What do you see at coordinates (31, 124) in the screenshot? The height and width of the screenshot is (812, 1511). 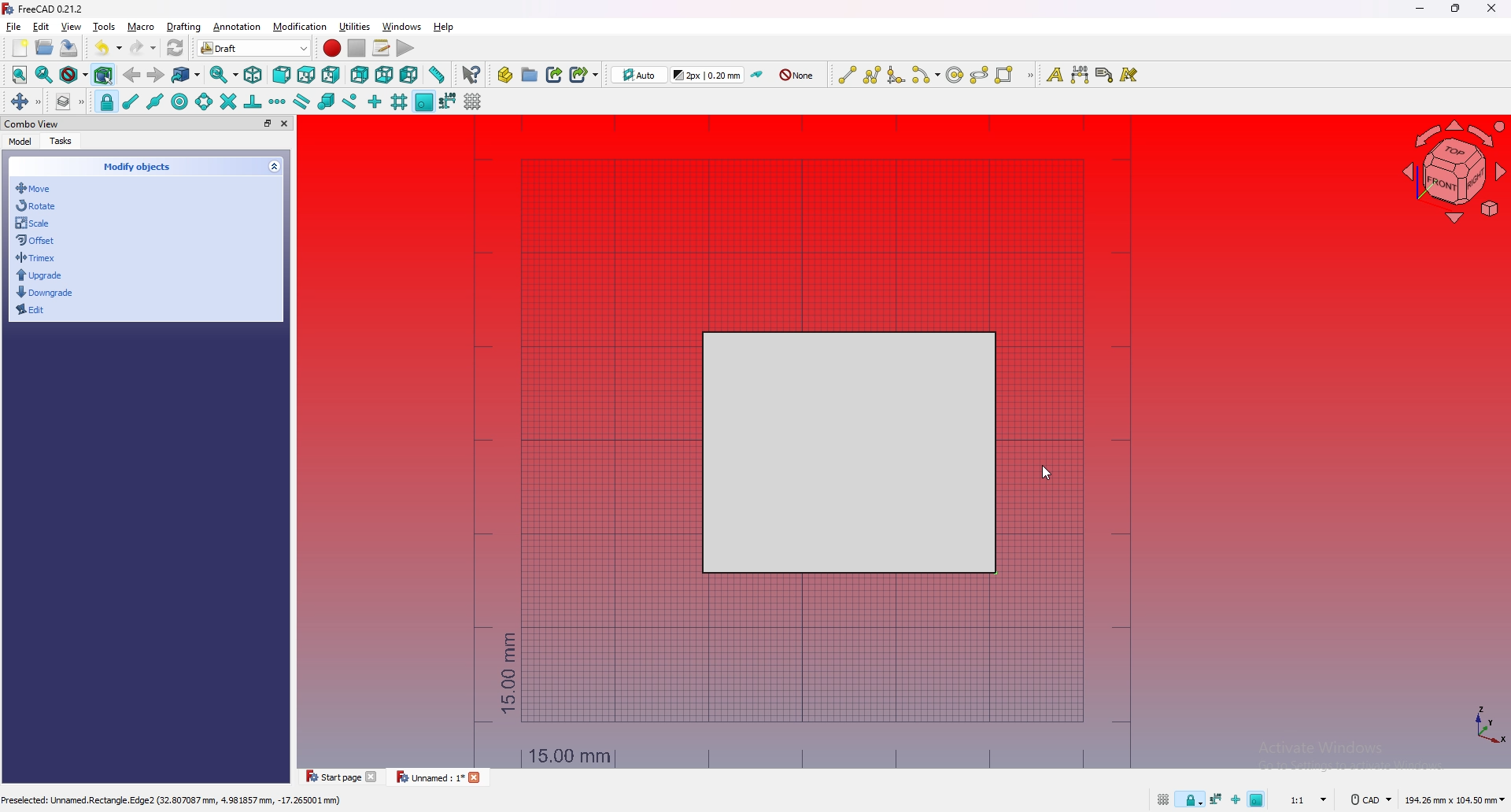 I see `combo view` at bounding box center [31, 124].